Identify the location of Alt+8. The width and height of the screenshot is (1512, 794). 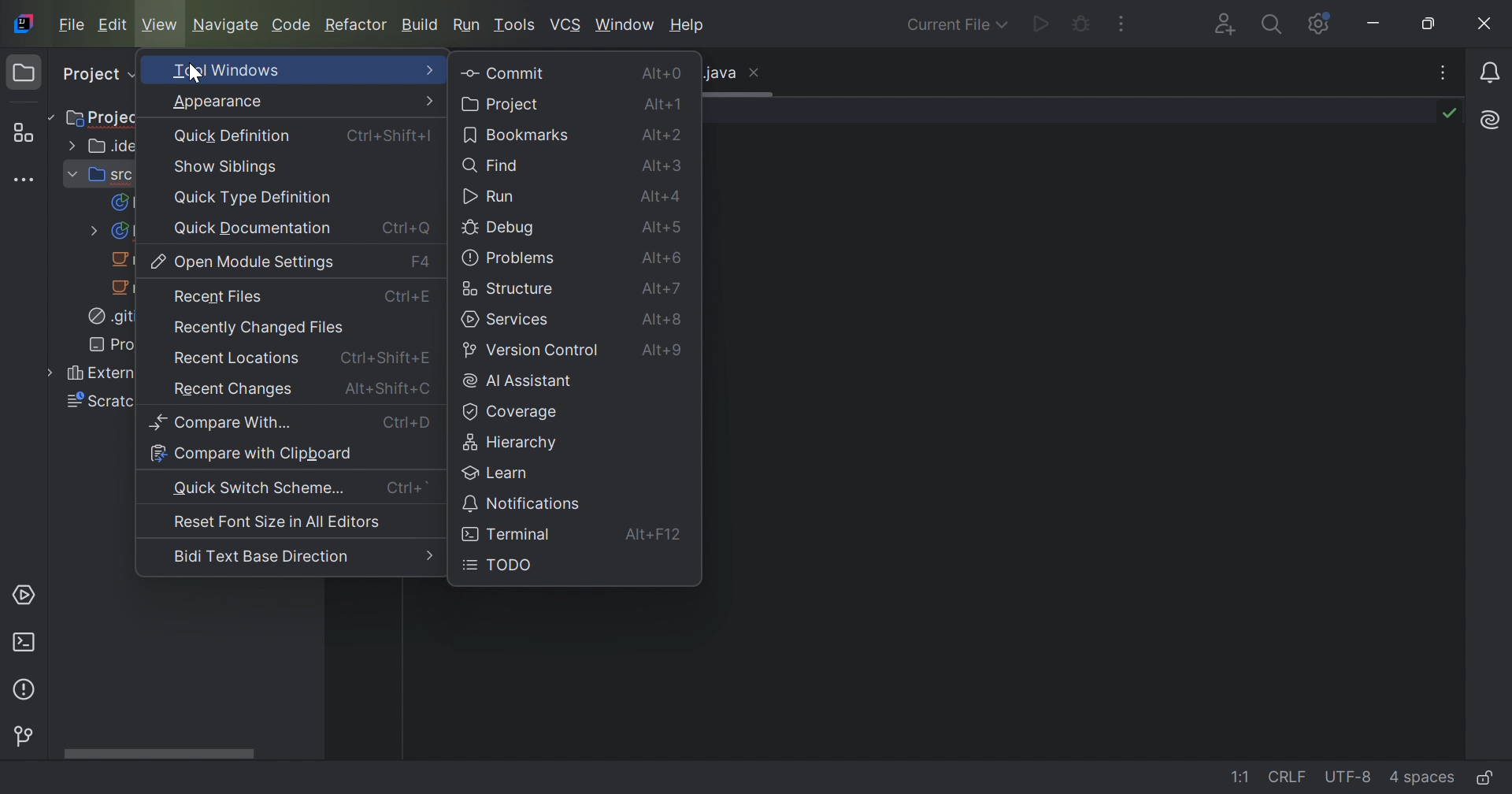
(661, 321).